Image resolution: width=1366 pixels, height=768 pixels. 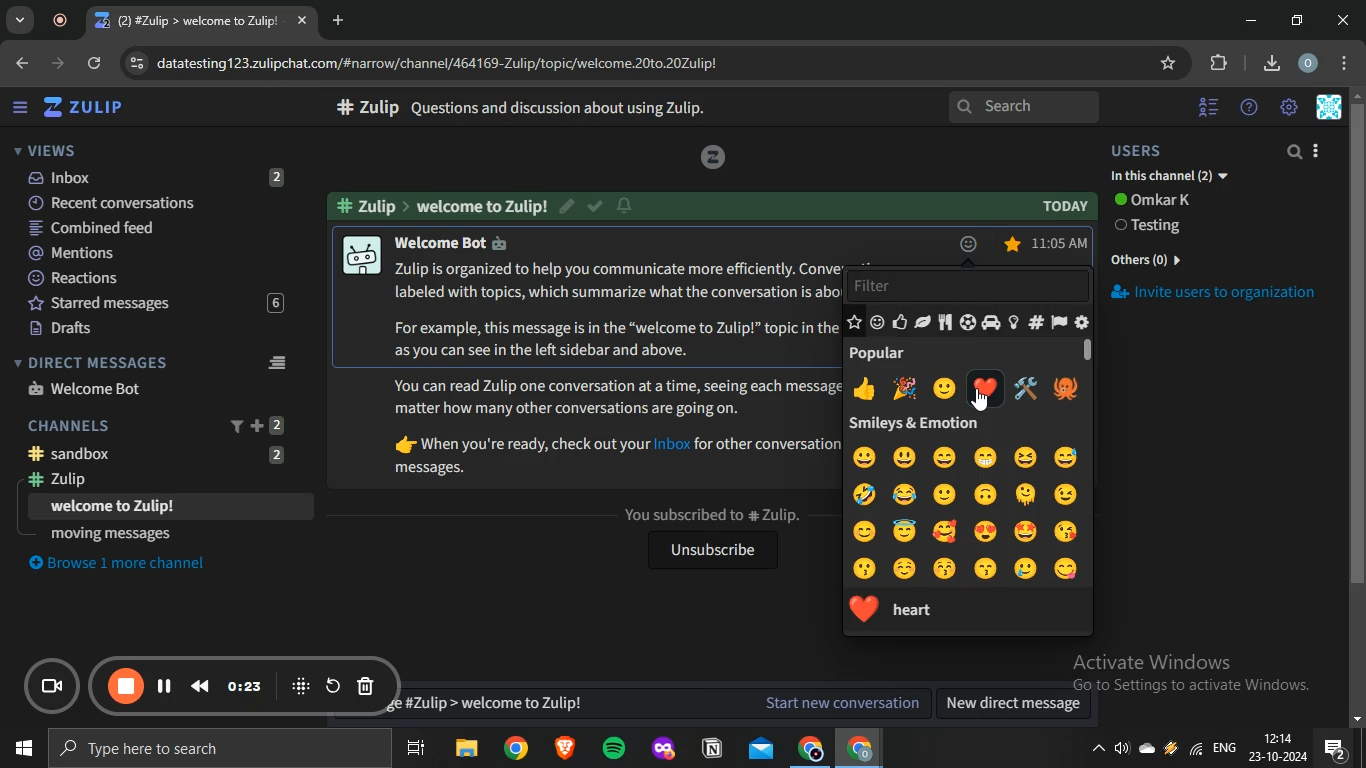 What do you see at coordinates (1170, 177) in the screenshot?
I see `in this channel` at bounding box center [1170, 177].